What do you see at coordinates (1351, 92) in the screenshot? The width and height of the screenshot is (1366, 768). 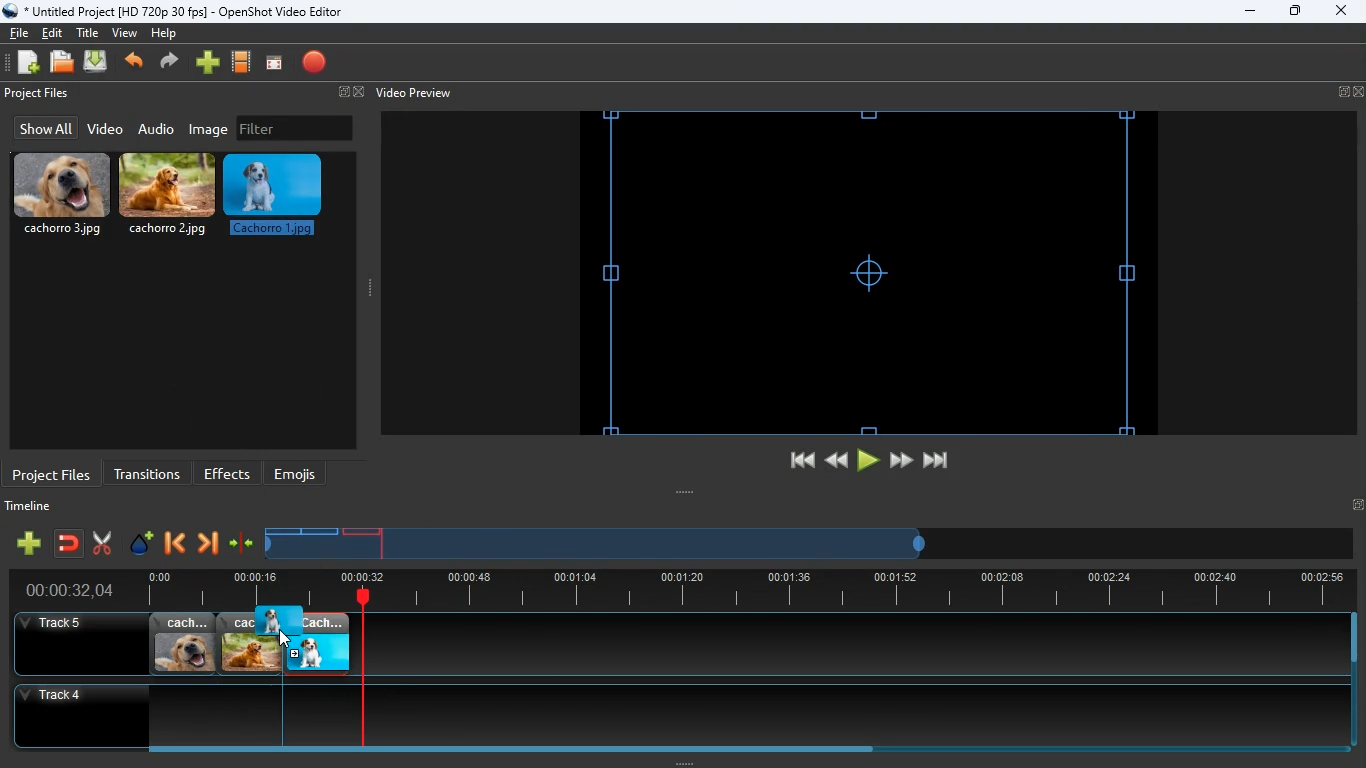 I see `fullscreen` at bounding box center [1351, 92].